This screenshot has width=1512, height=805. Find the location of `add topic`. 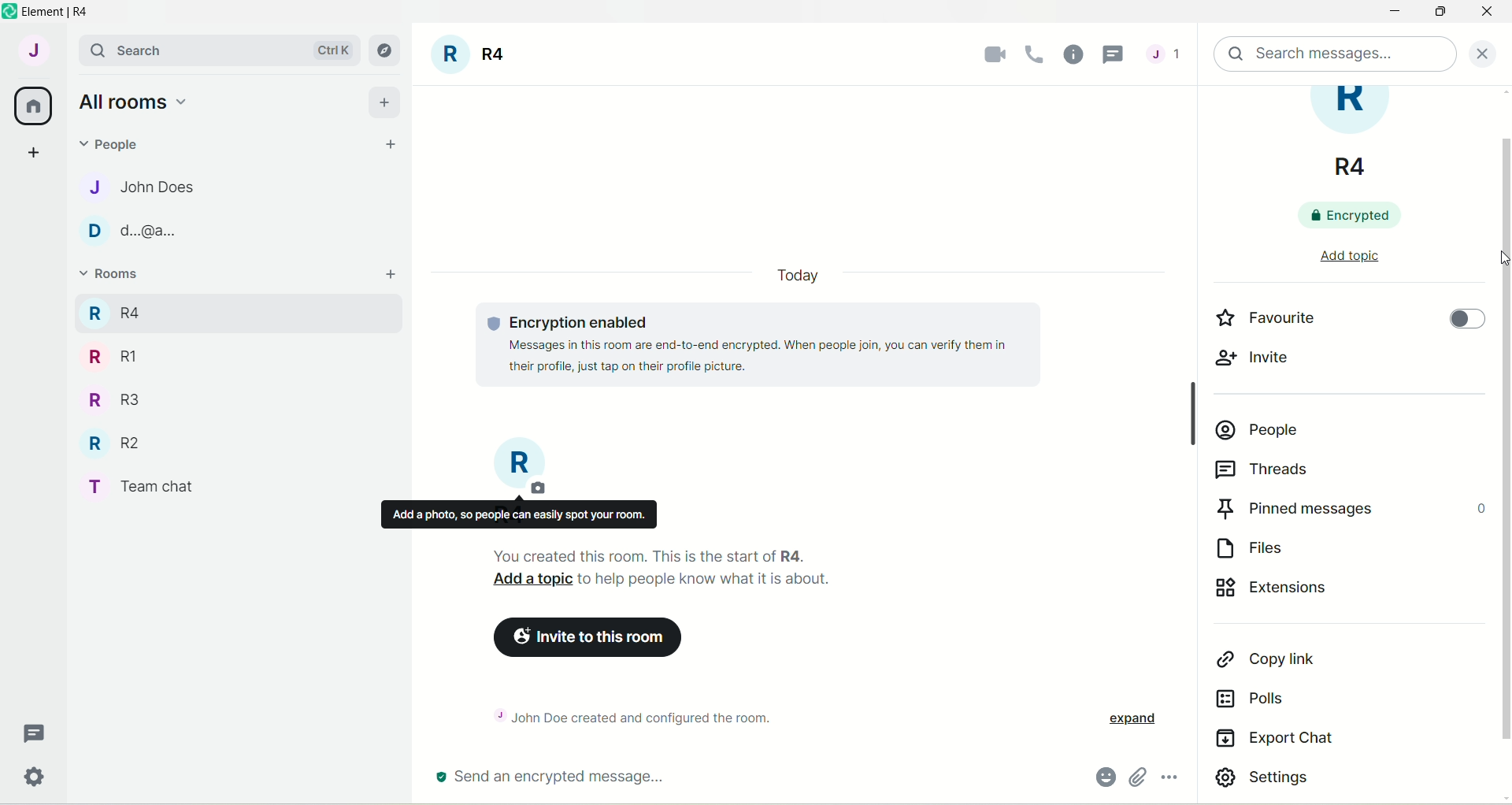

add topic is located at coordinates (1349, 254).